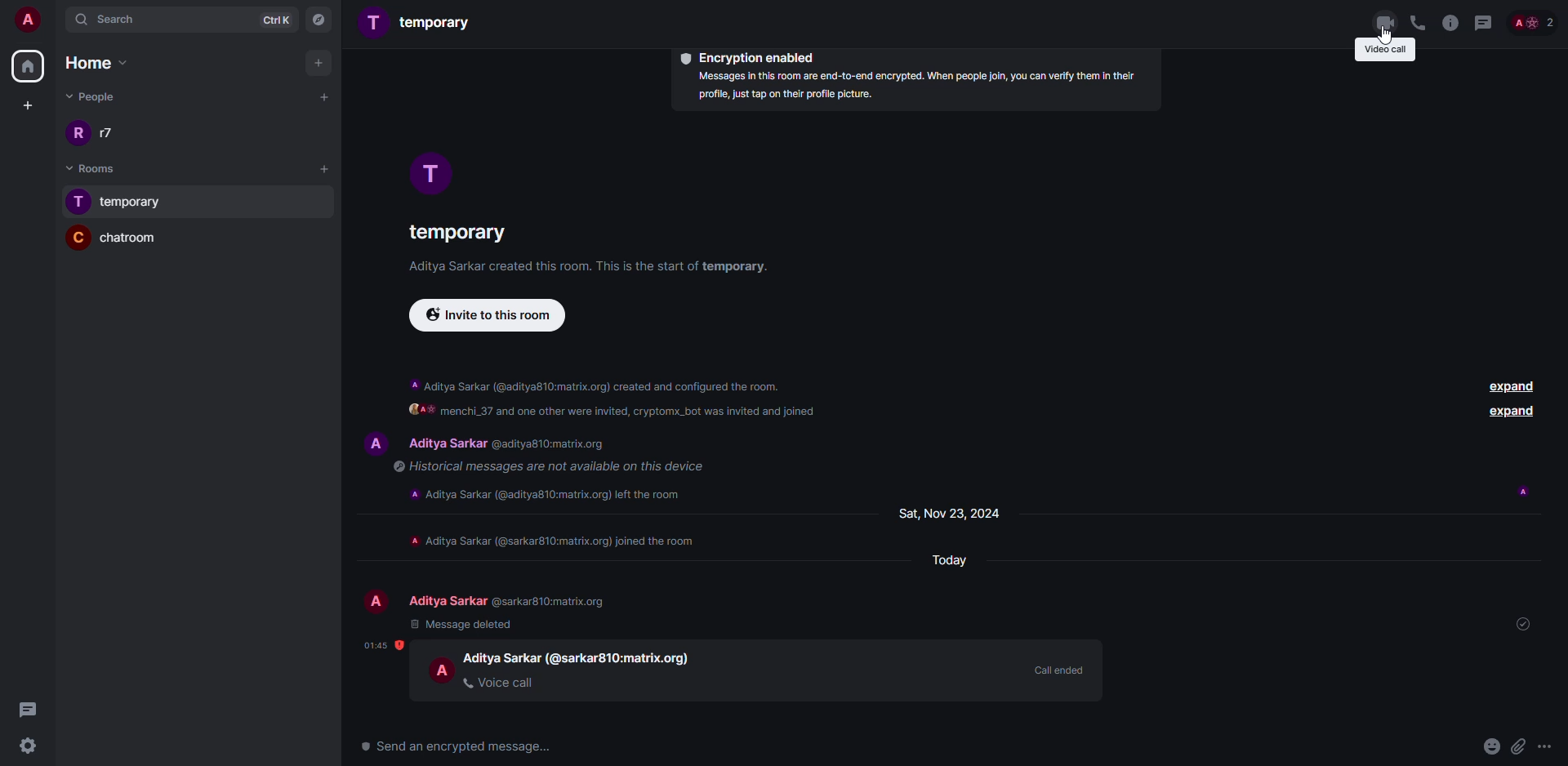 Image resolution: width=1568 pixels, height=766 pixels. Describe the element at coordinates (439, 21) in the screenshot. I see `room` at that location.